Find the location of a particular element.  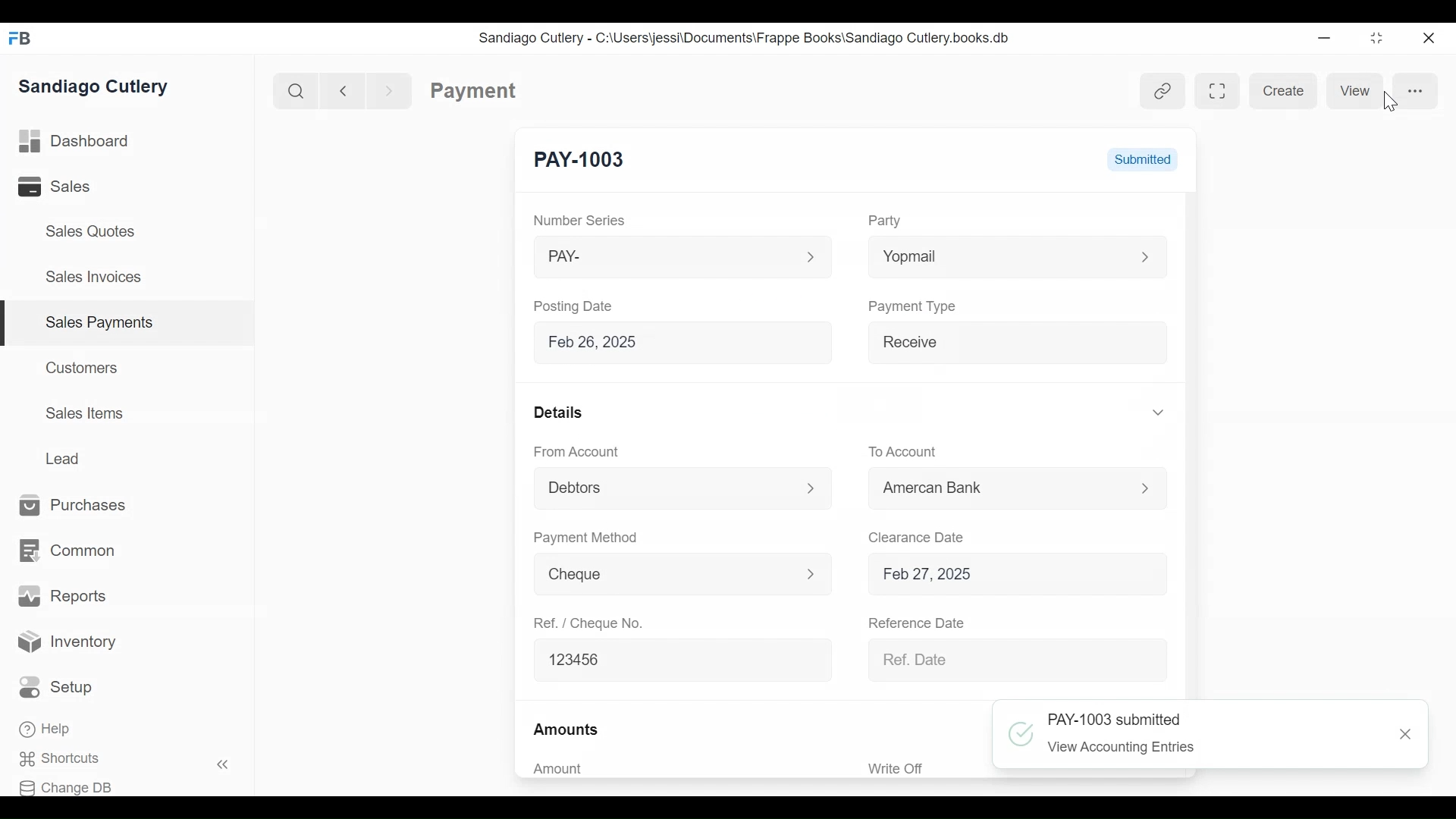

Feb 27, 2025 is located at coordinates (1015, 575).